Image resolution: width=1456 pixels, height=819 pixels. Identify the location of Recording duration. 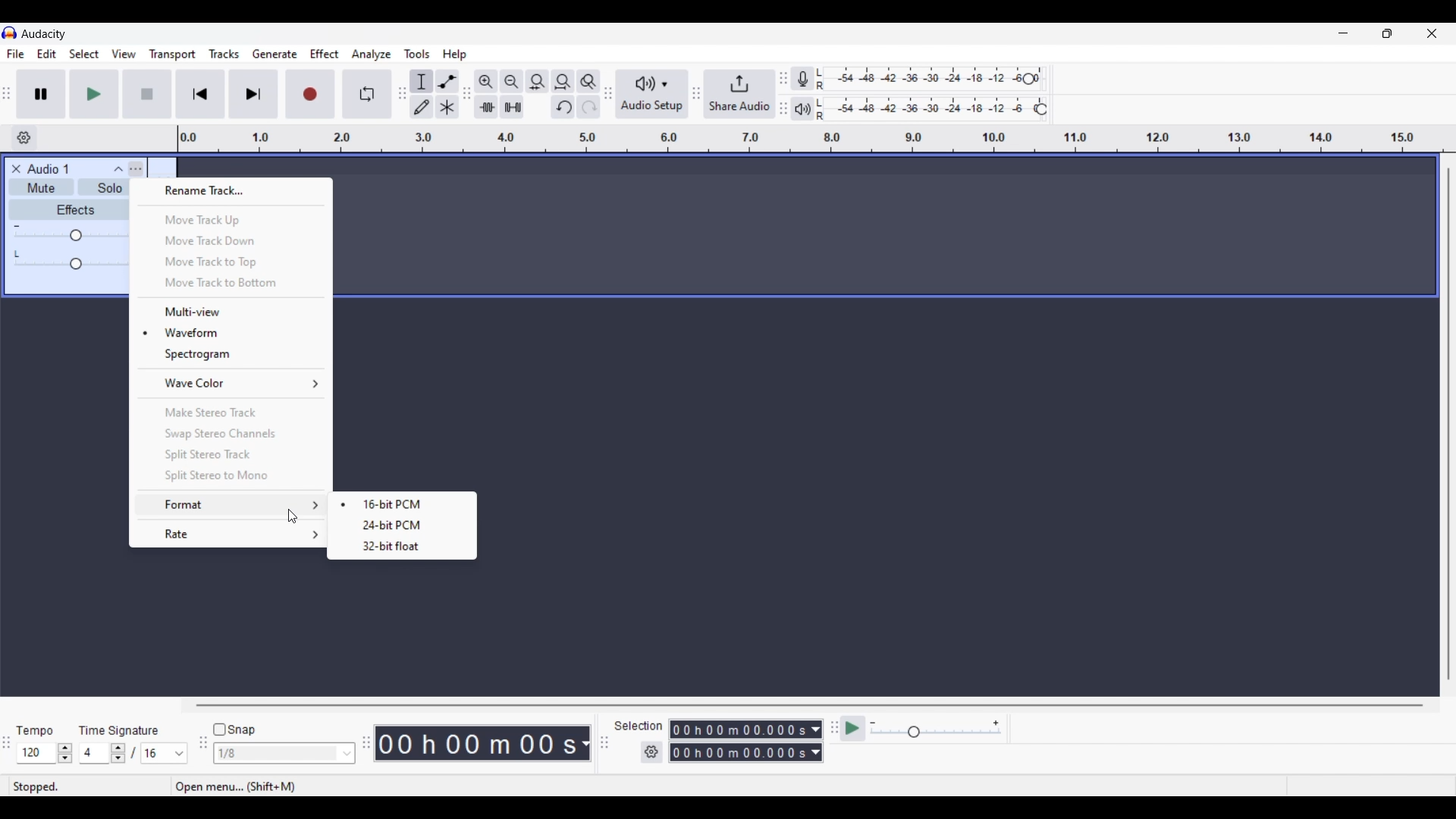
(737, 741).